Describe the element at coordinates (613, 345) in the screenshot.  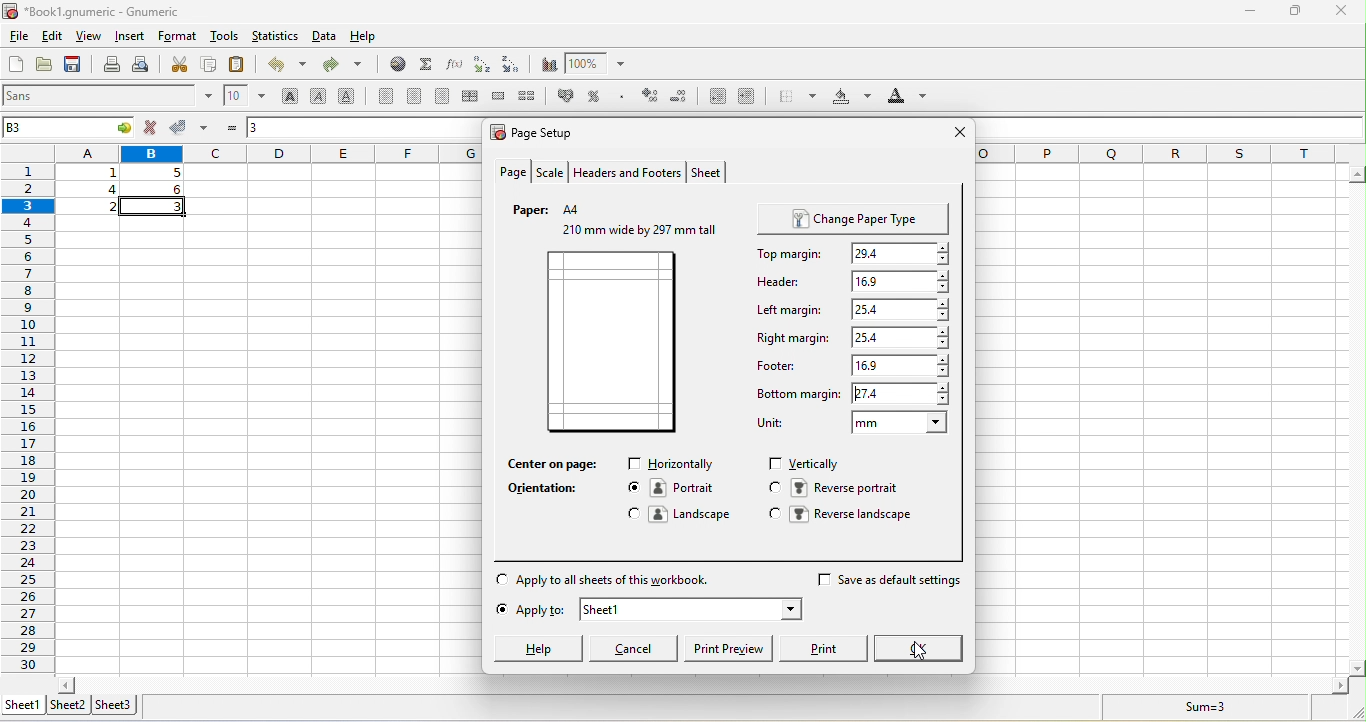
I see `margin changed` at that location.